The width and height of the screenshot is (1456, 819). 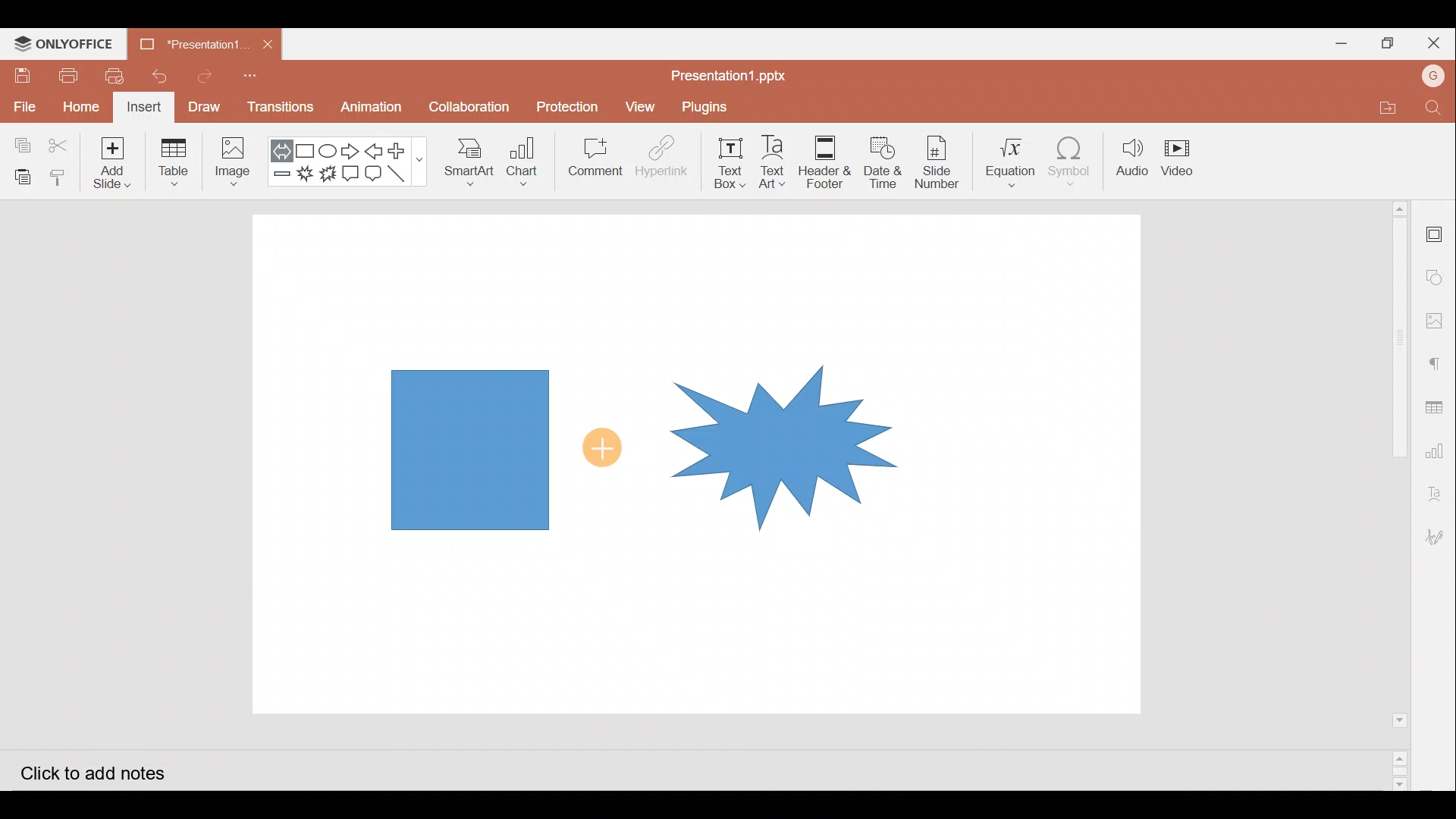 I want to click on Draw, so click(x=209, y=108).